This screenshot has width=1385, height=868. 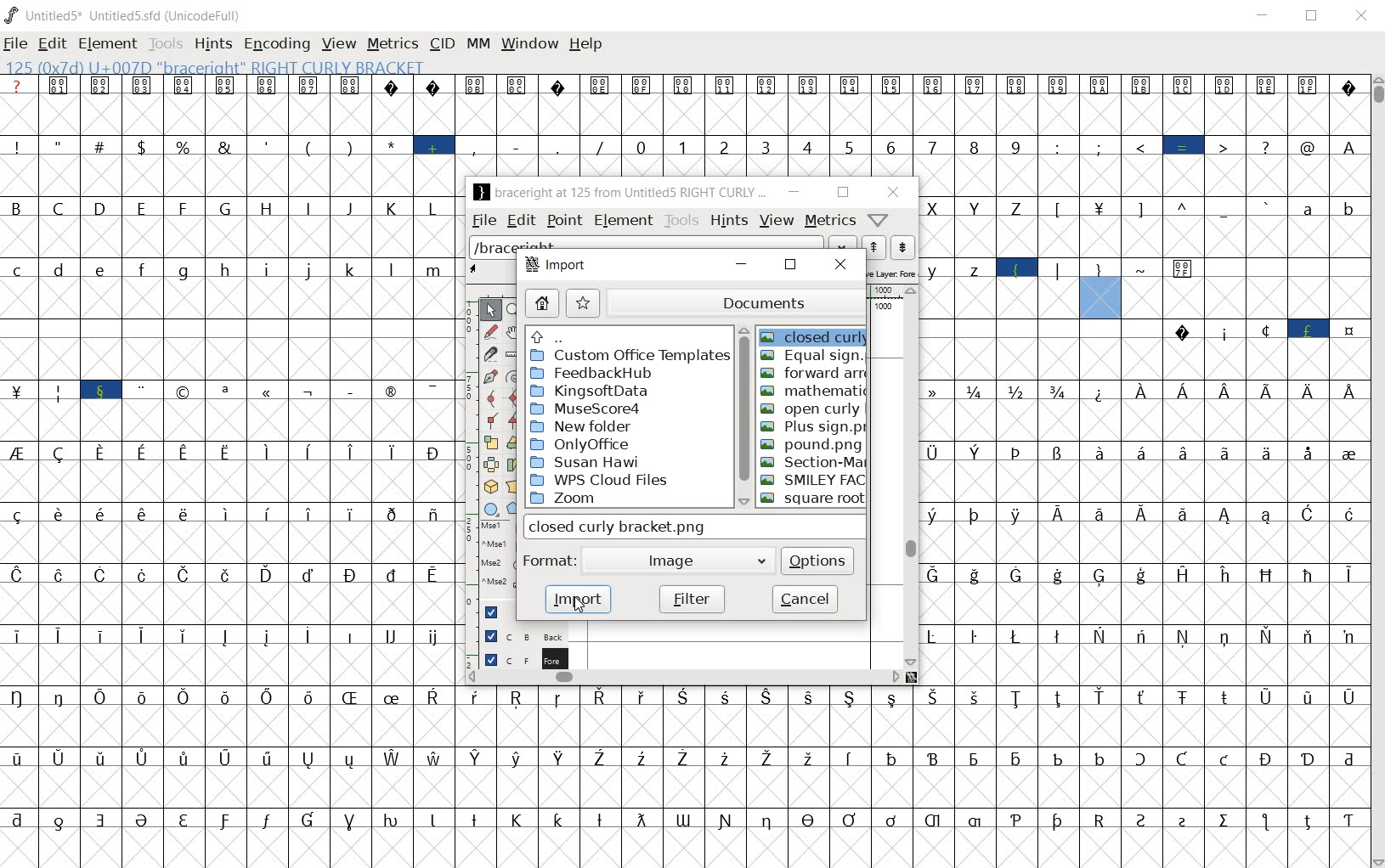 What do you see at coordinates (513, 509) in the screenshot?
I see `polygon or star` at bounding box center [513, 509].